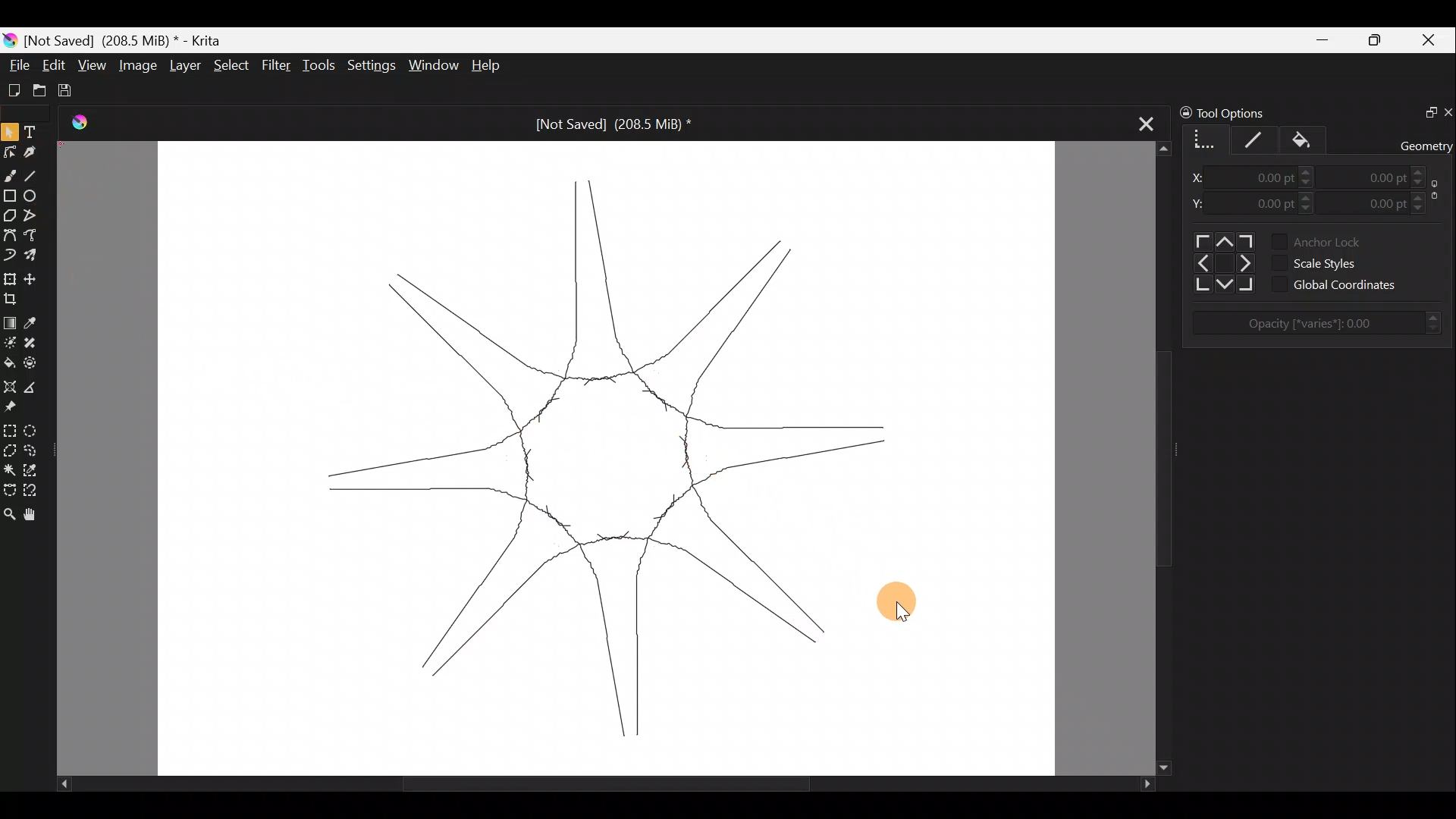 This screenshot has height=819, width=1456. I want to click on Float docker, so click(1424, 110).